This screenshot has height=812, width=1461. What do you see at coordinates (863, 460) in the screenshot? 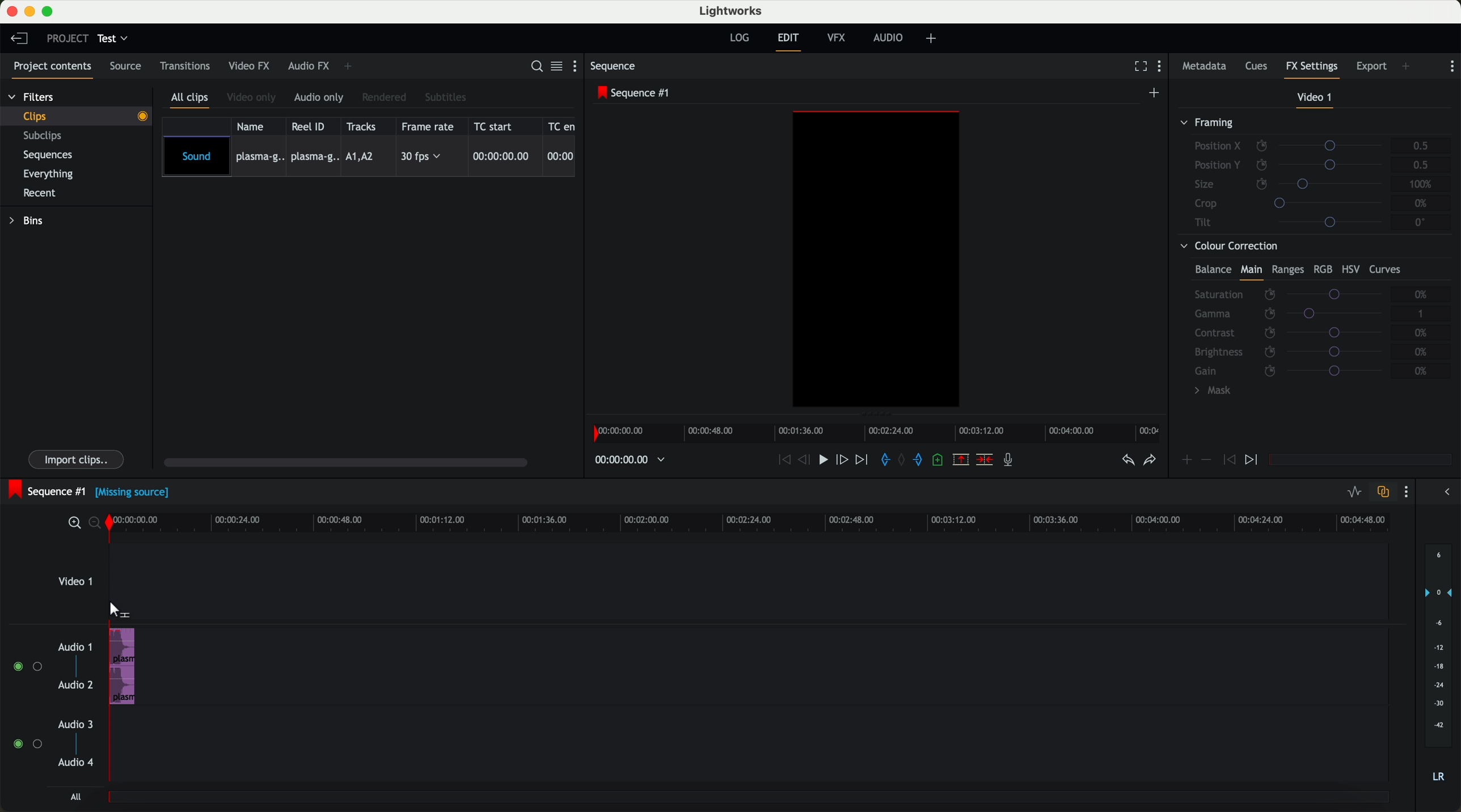
I see `move foward` at bounding box center [863, 460].